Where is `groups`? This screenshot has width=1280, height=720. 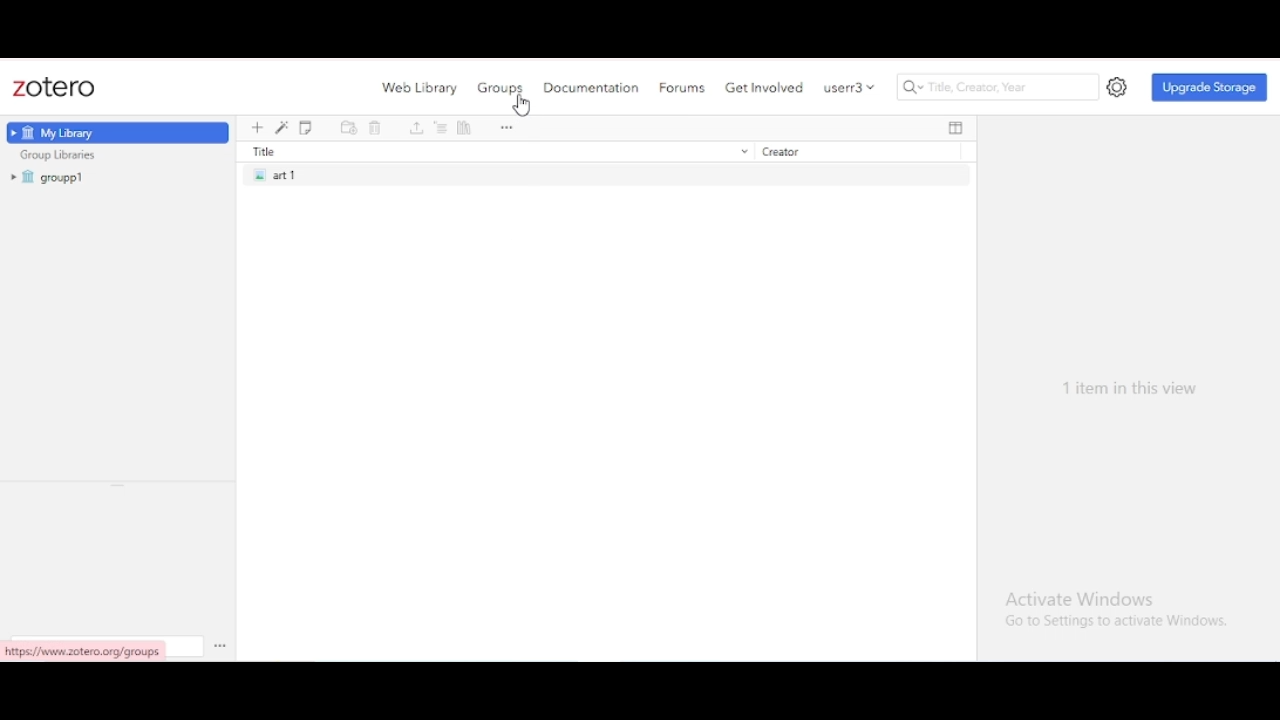
groups is located at coordinates (501, 88).